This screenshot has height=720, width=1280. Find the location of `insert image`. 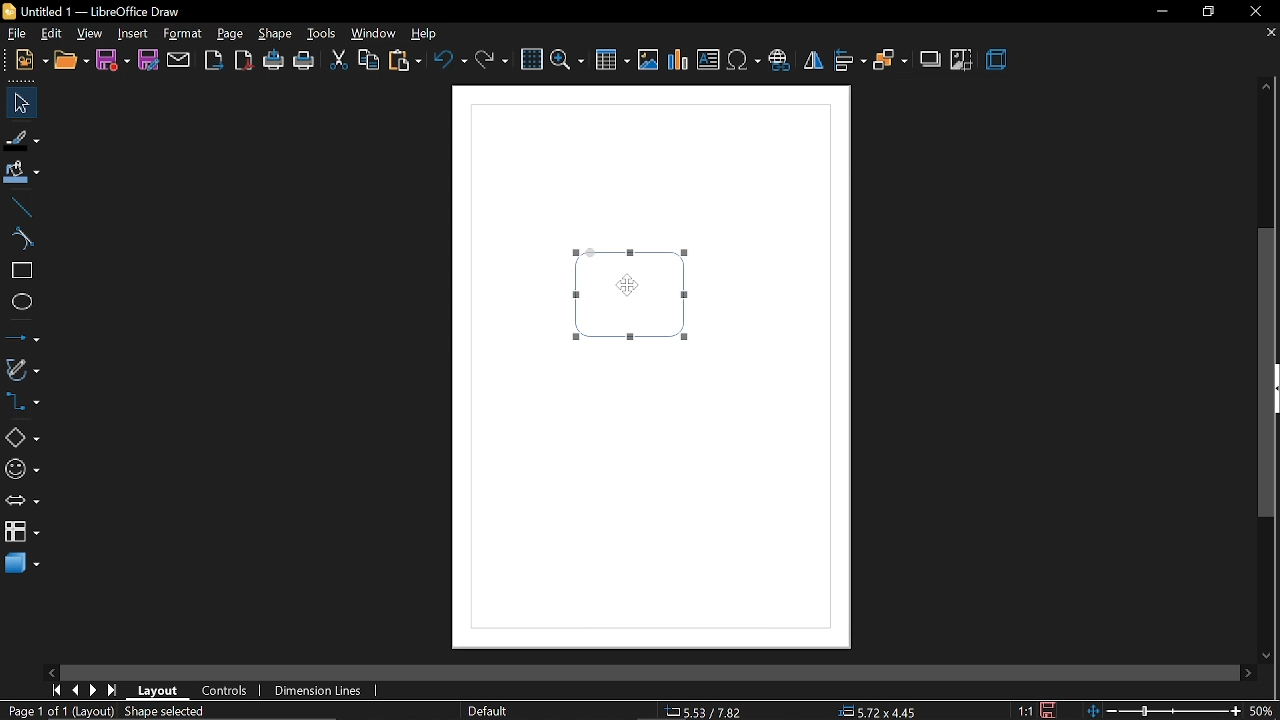

insert image is located at coordinates (649, 61).